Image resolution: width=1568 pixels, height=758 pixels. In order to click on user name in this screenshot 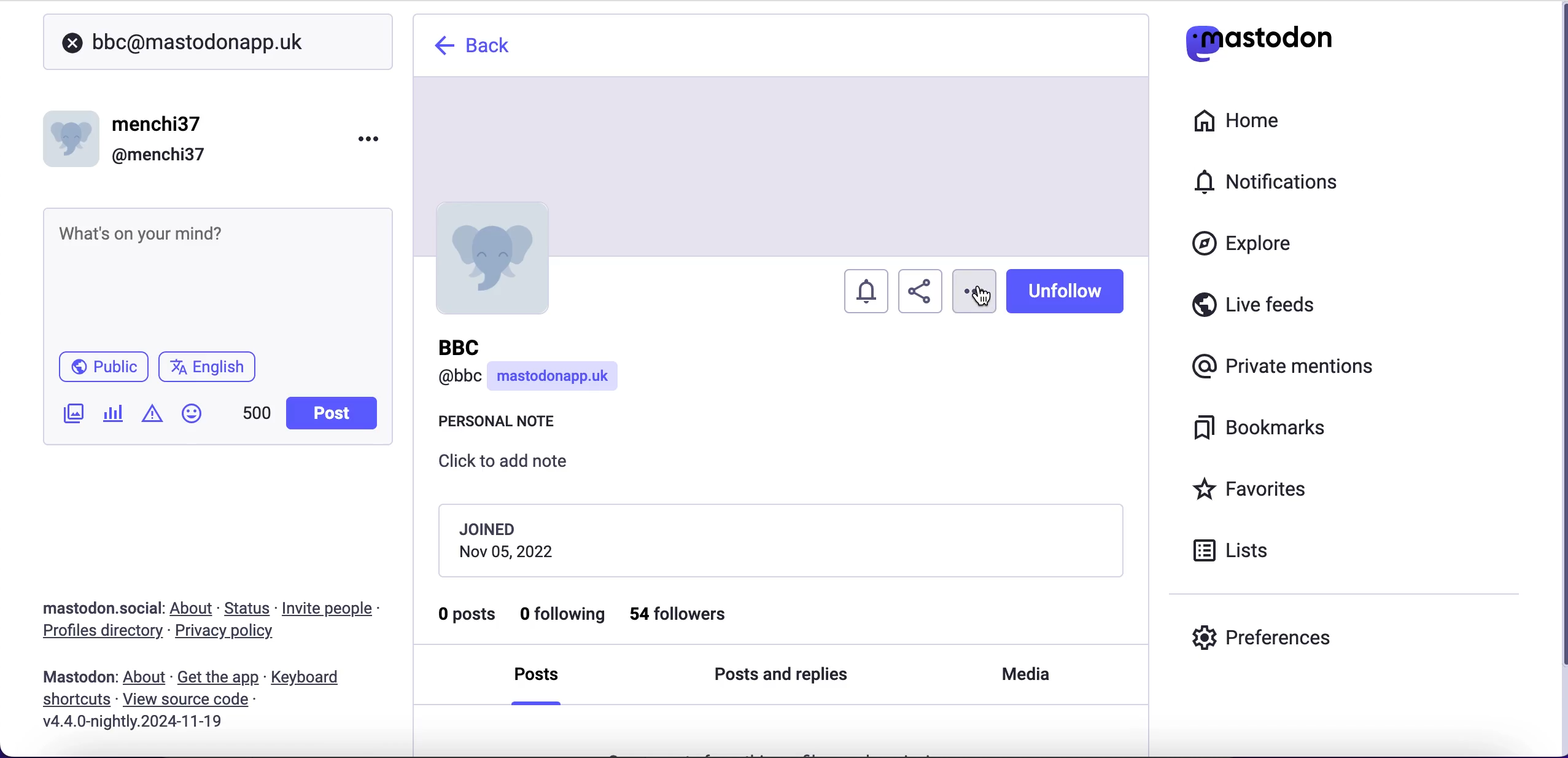, I will do `click(128, 138)`.